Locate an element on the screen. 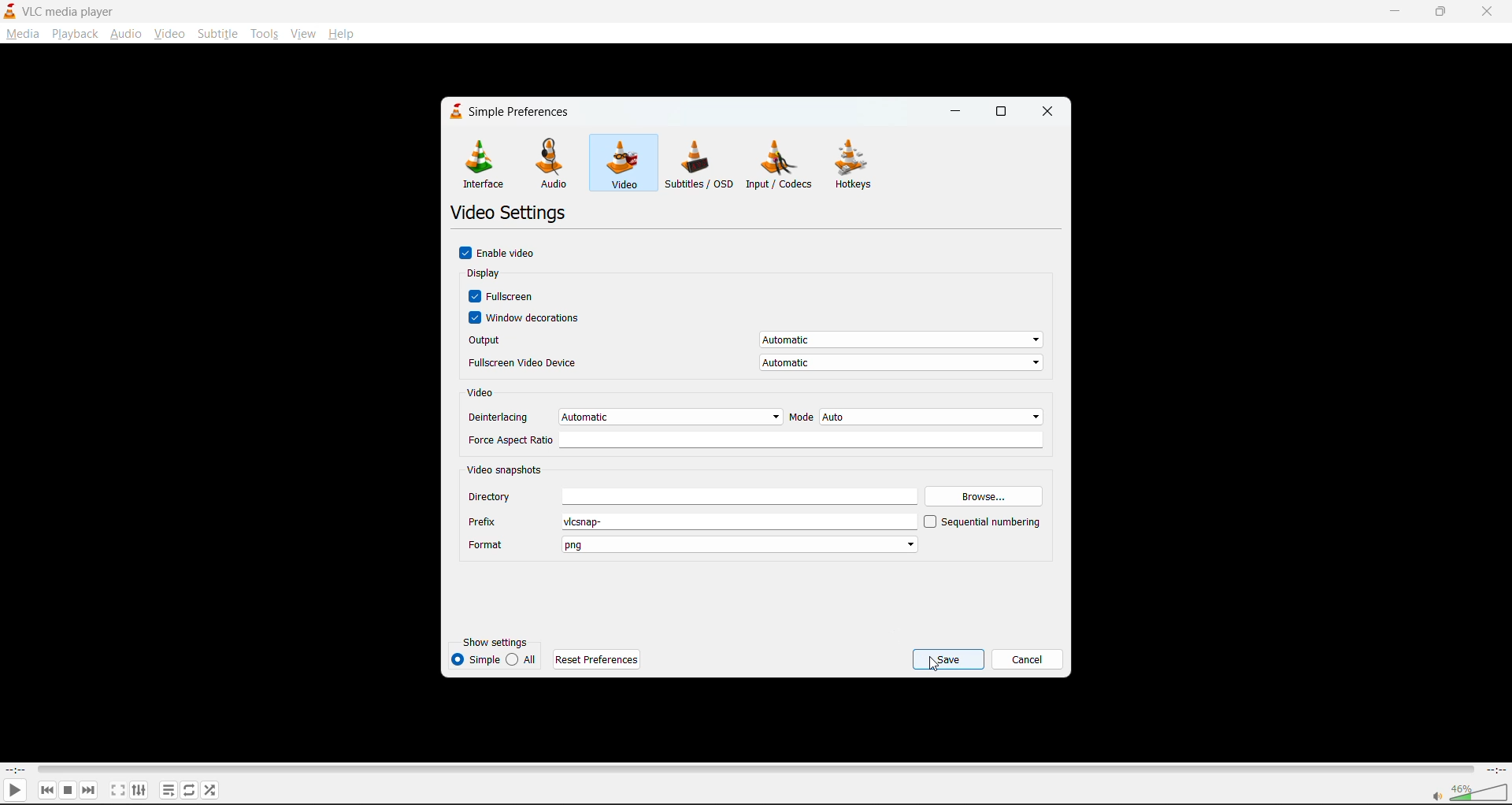  video is located at coordinates (169, 35).